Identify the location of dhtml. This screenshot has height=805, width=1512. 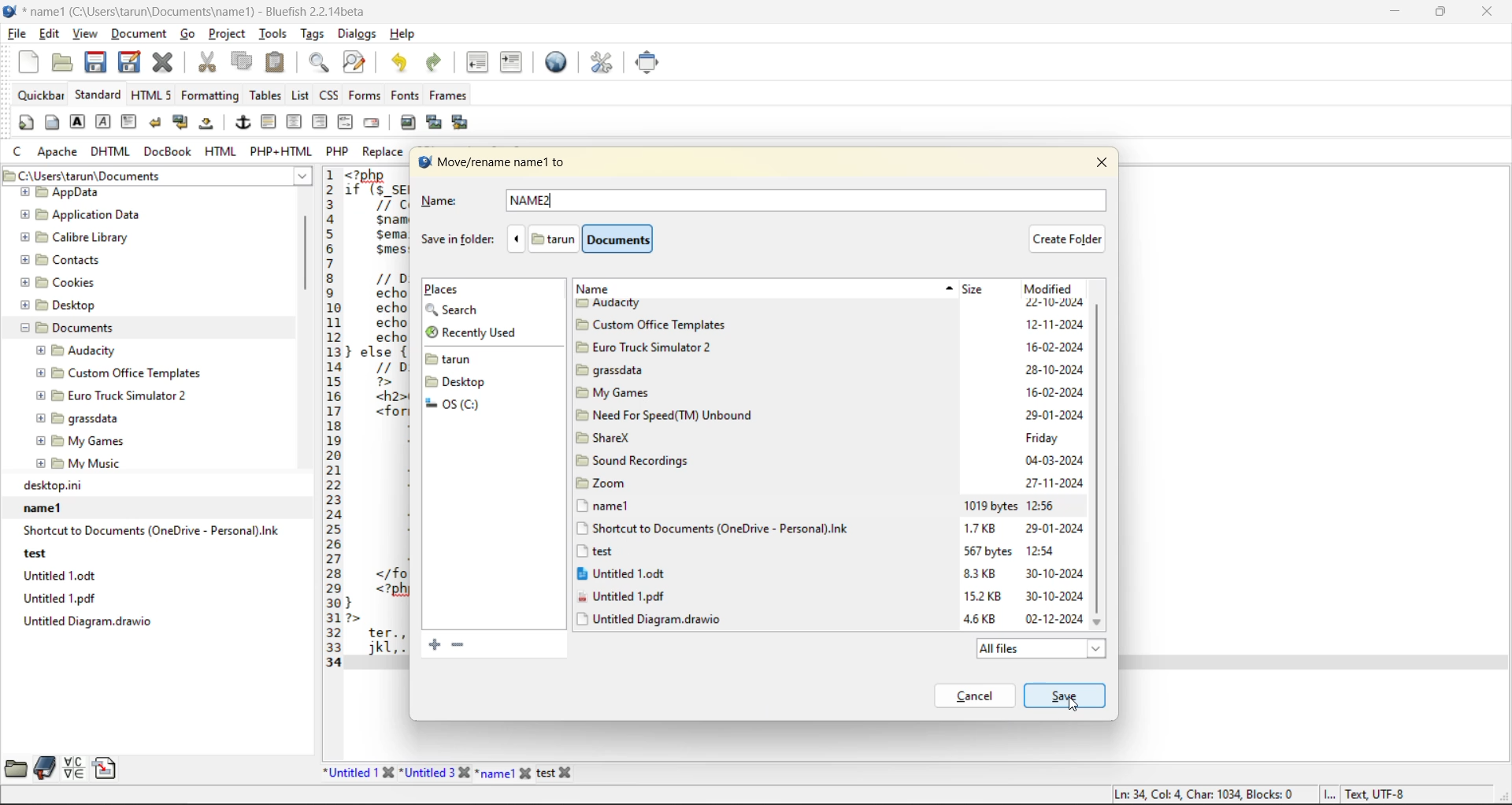
(111, 152).